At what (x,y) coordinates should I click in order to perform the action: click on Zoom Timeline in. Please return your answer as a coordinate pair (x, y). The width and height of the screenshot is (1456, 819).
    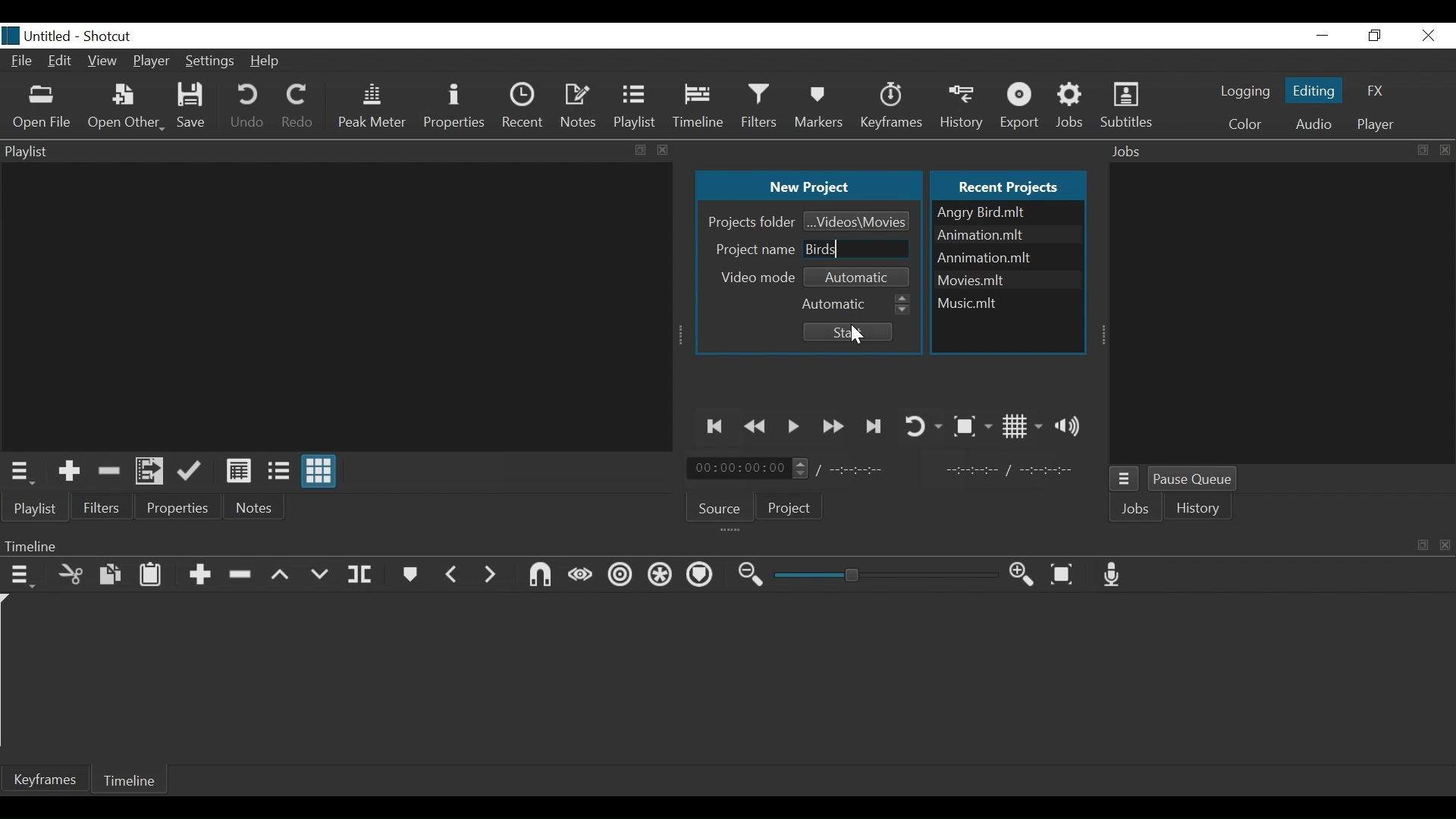
    Looking at the image, I should click on (1021, 575).